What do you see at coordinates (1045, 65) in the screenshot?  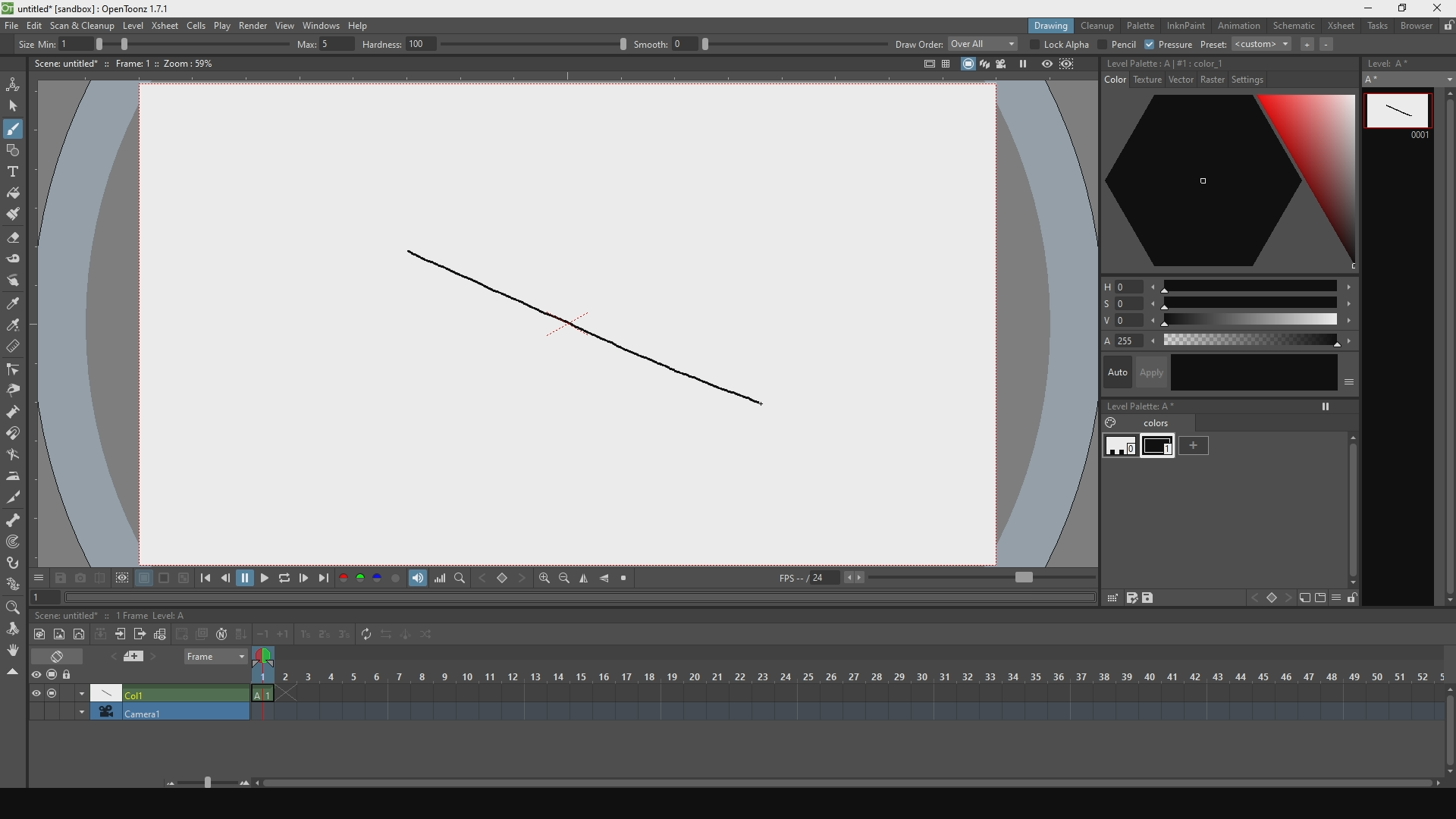 I see `preview` at bounding box center [1045, 65].